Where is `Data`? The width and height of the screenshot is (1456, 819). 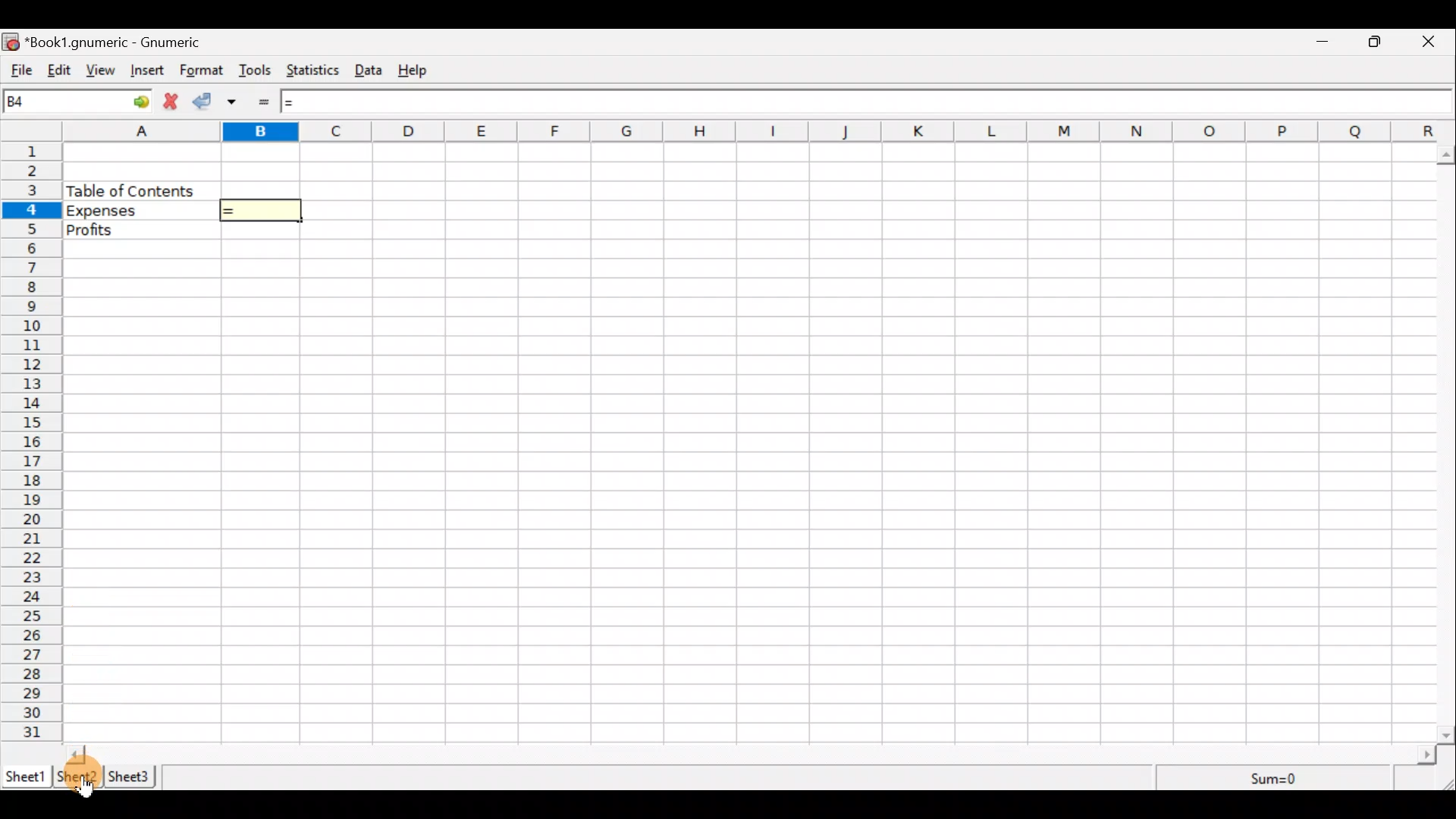
Data is located at coordinates (373, 71).